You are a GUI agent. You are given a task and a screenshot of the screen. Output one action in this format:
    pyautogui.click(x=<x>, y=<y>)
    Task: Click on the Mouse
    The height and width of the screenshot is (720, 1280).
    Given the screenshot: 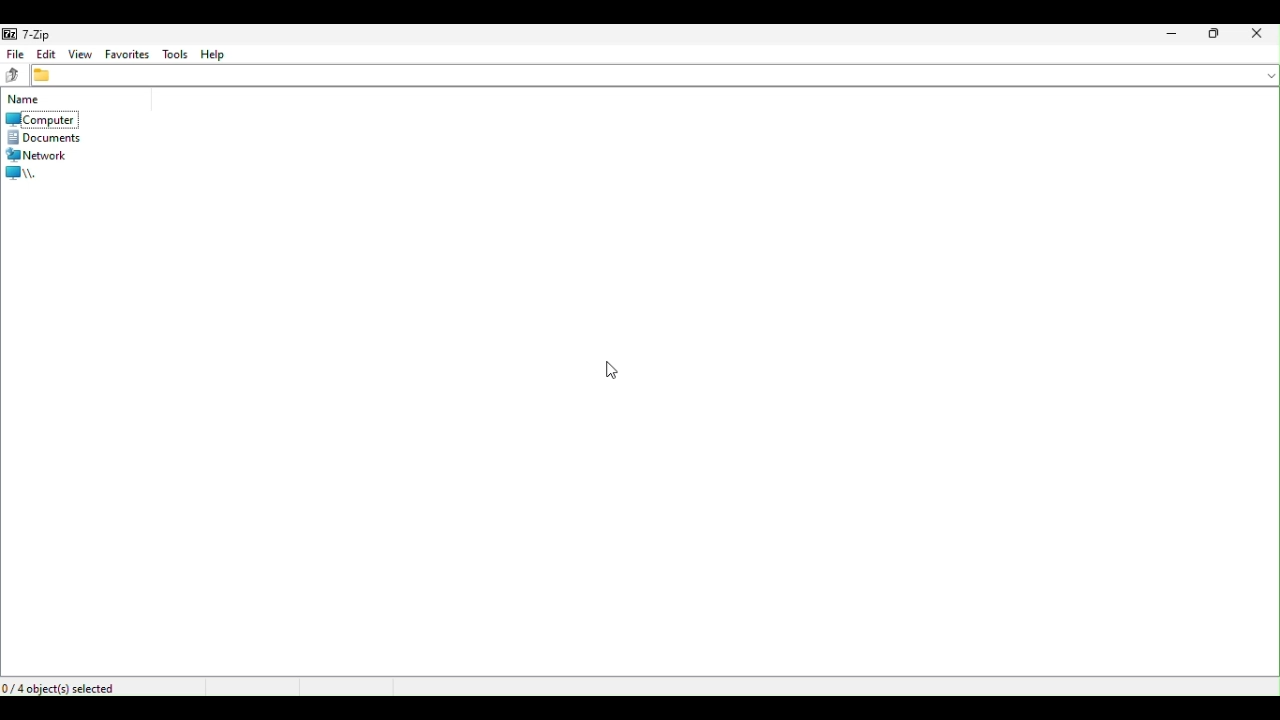 What is the action you would take?
    pyautogui.click(x=611, y=372)
    